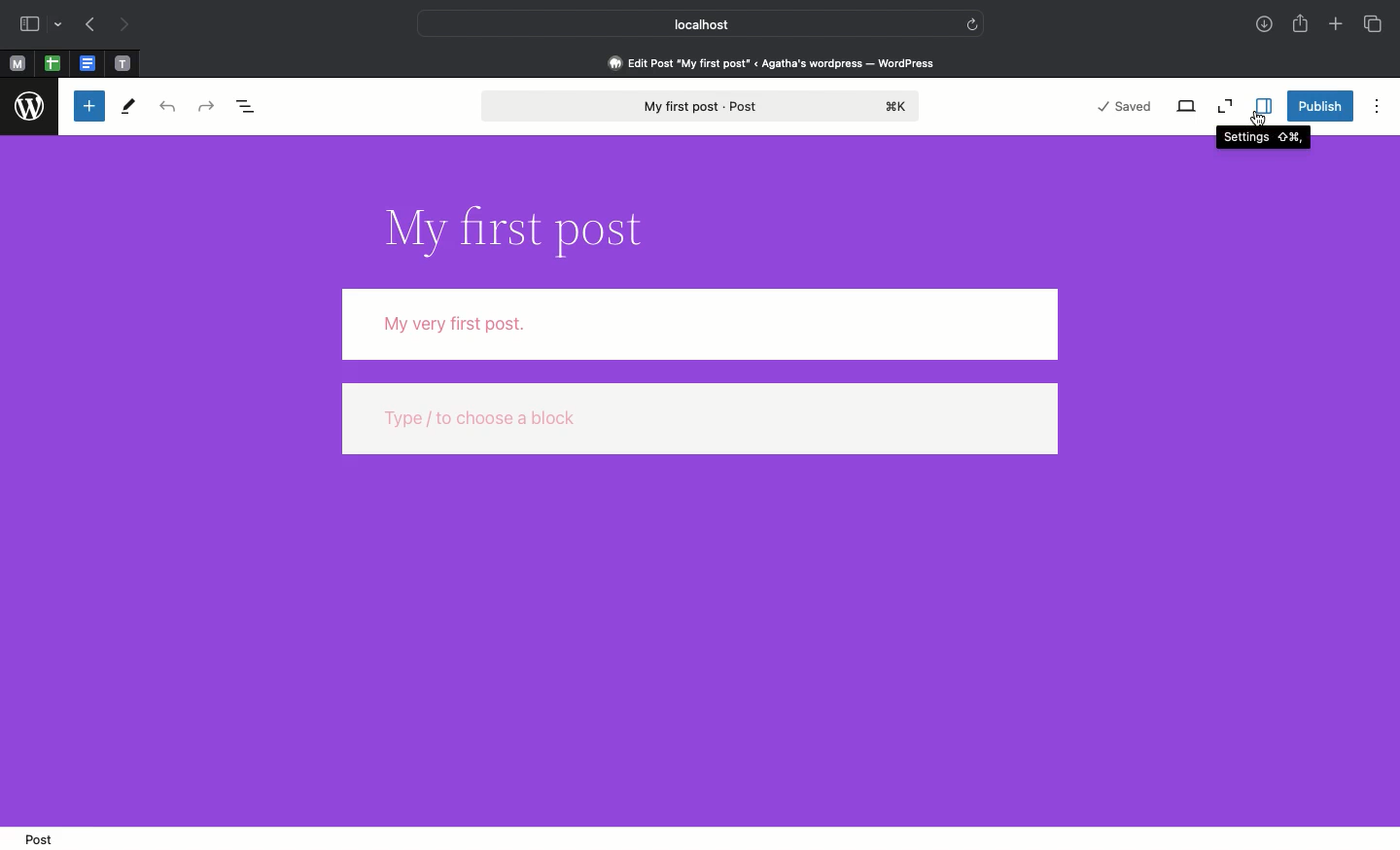 This screenshot has height=850, width=1400. What do you see at coordinates (1376, 24) in the screenshot?
I see `Tabs` at bounding box center [1376, 24].